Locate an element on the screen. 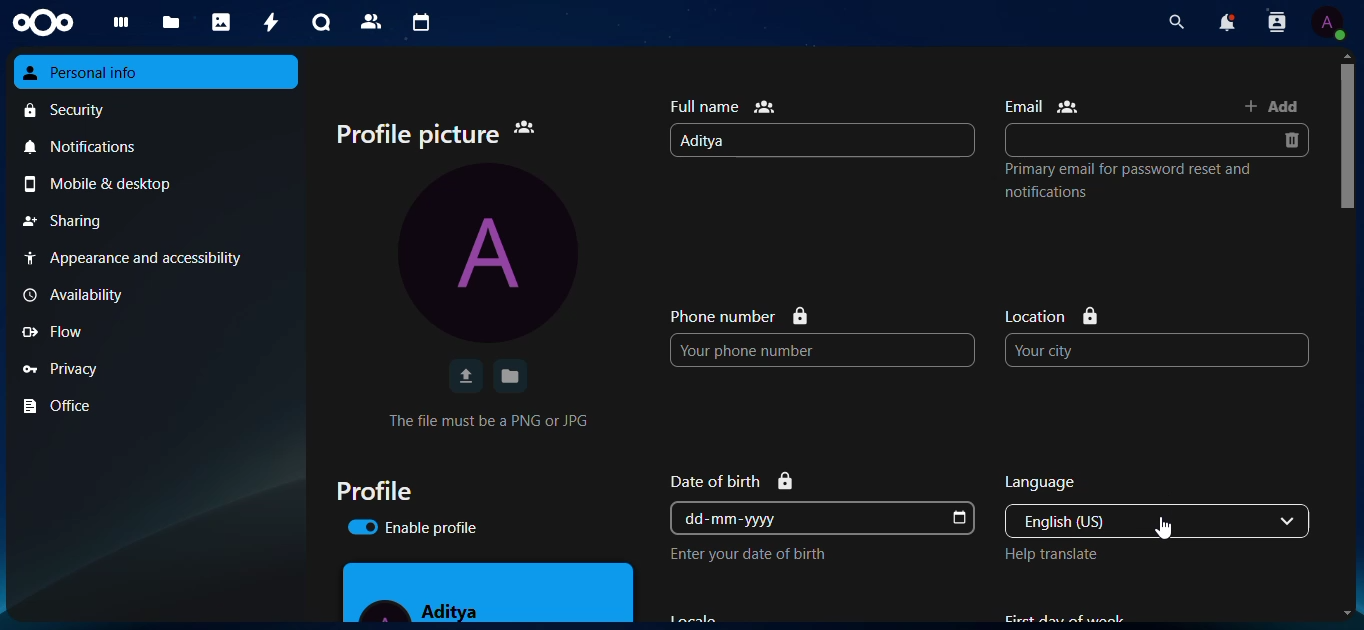 The width and height of the screenshot is (1364, 630). dob is located at coordinates (960, 518).